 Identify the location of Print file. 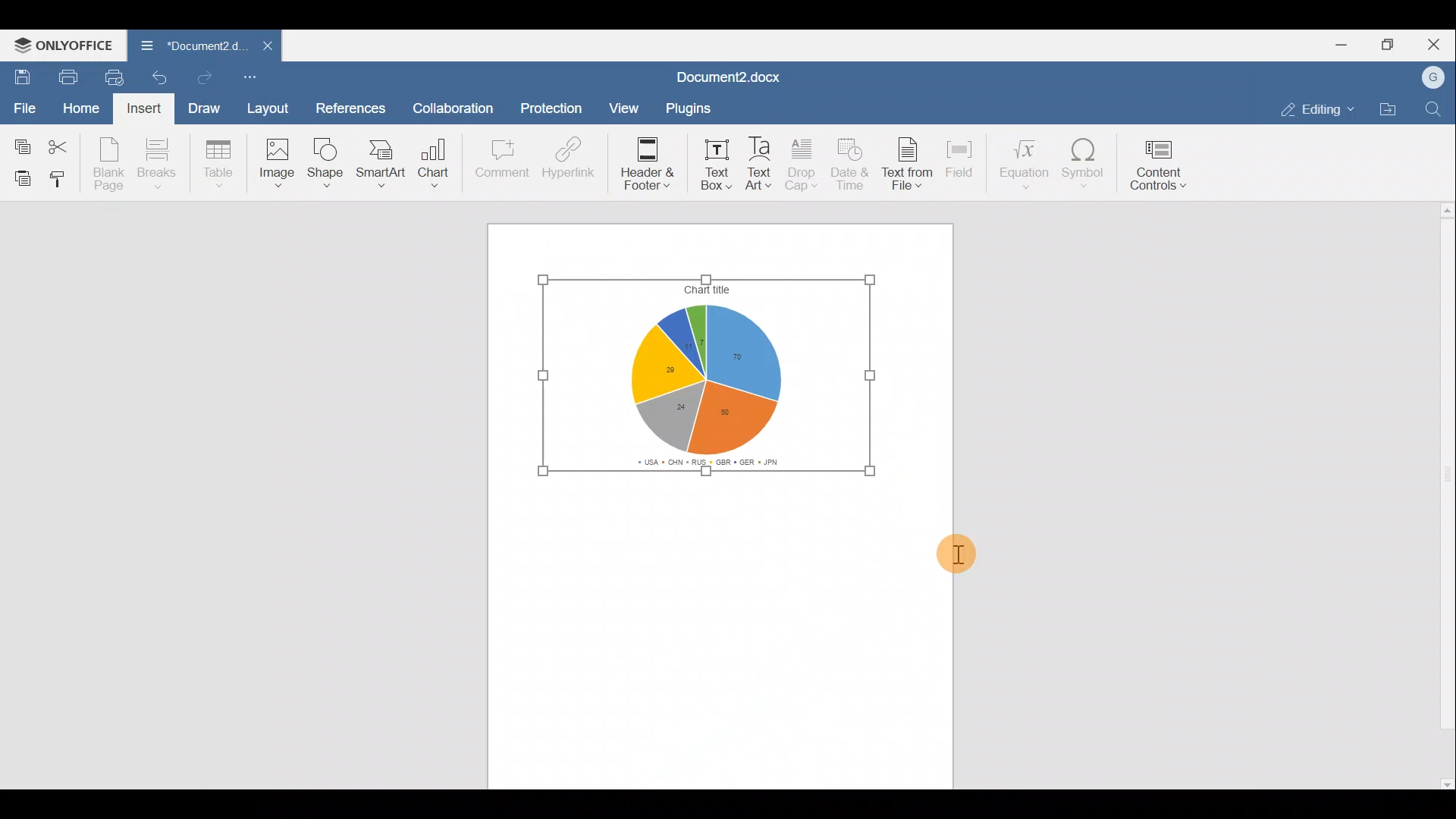
(67, 76).